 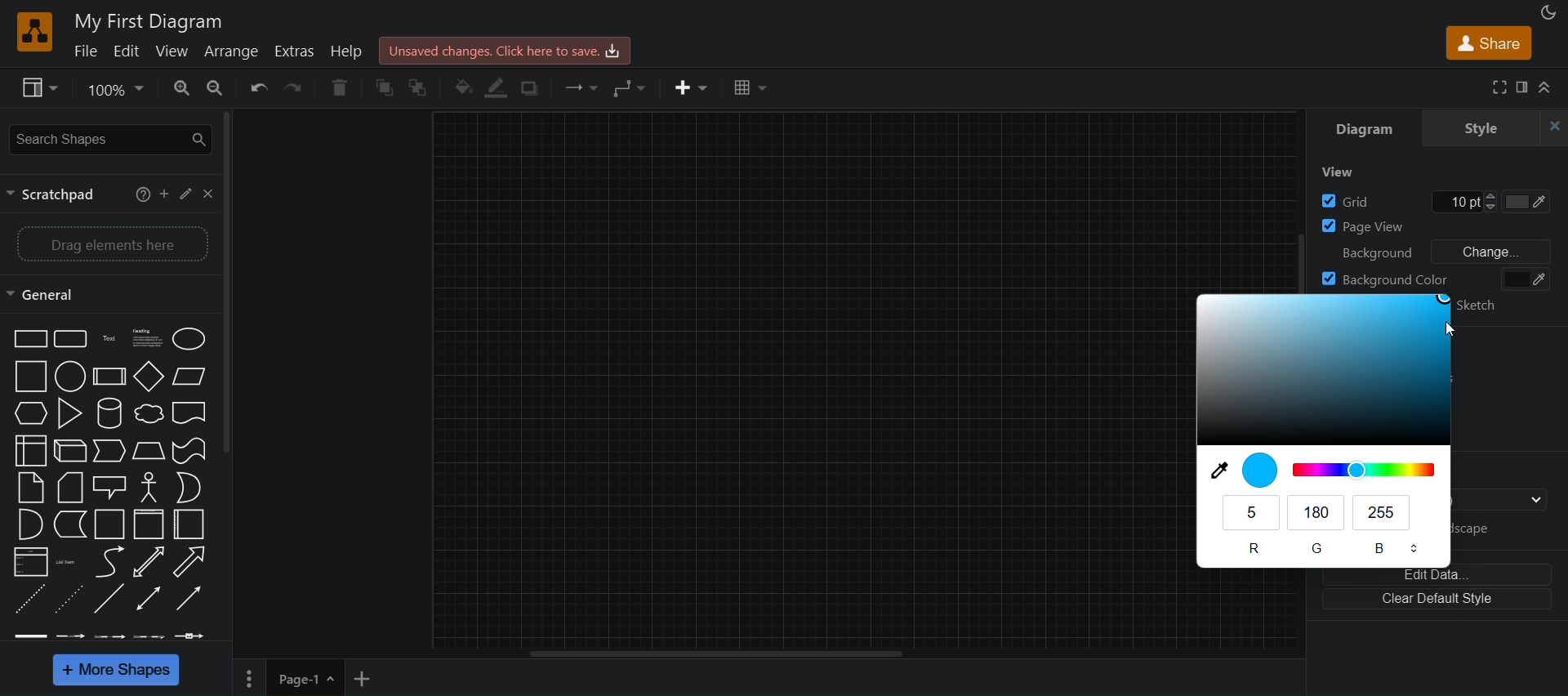 What do you see at coordinates (752, 89) in the screenshot?
I see `table` at bounding box center [752, 89].